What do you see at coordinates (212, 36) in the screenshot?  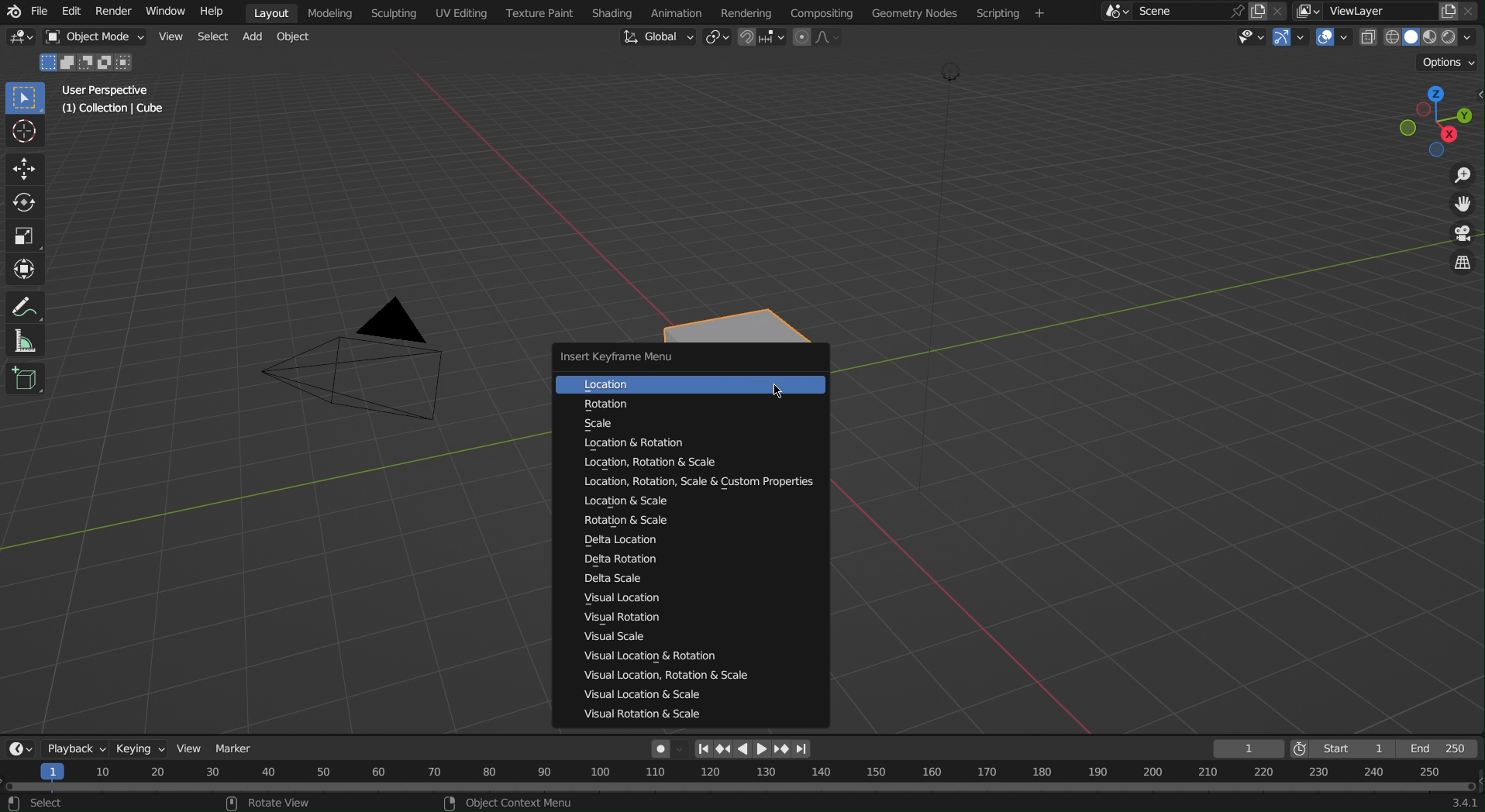 I see `Select` at bounding box center [212, 36].